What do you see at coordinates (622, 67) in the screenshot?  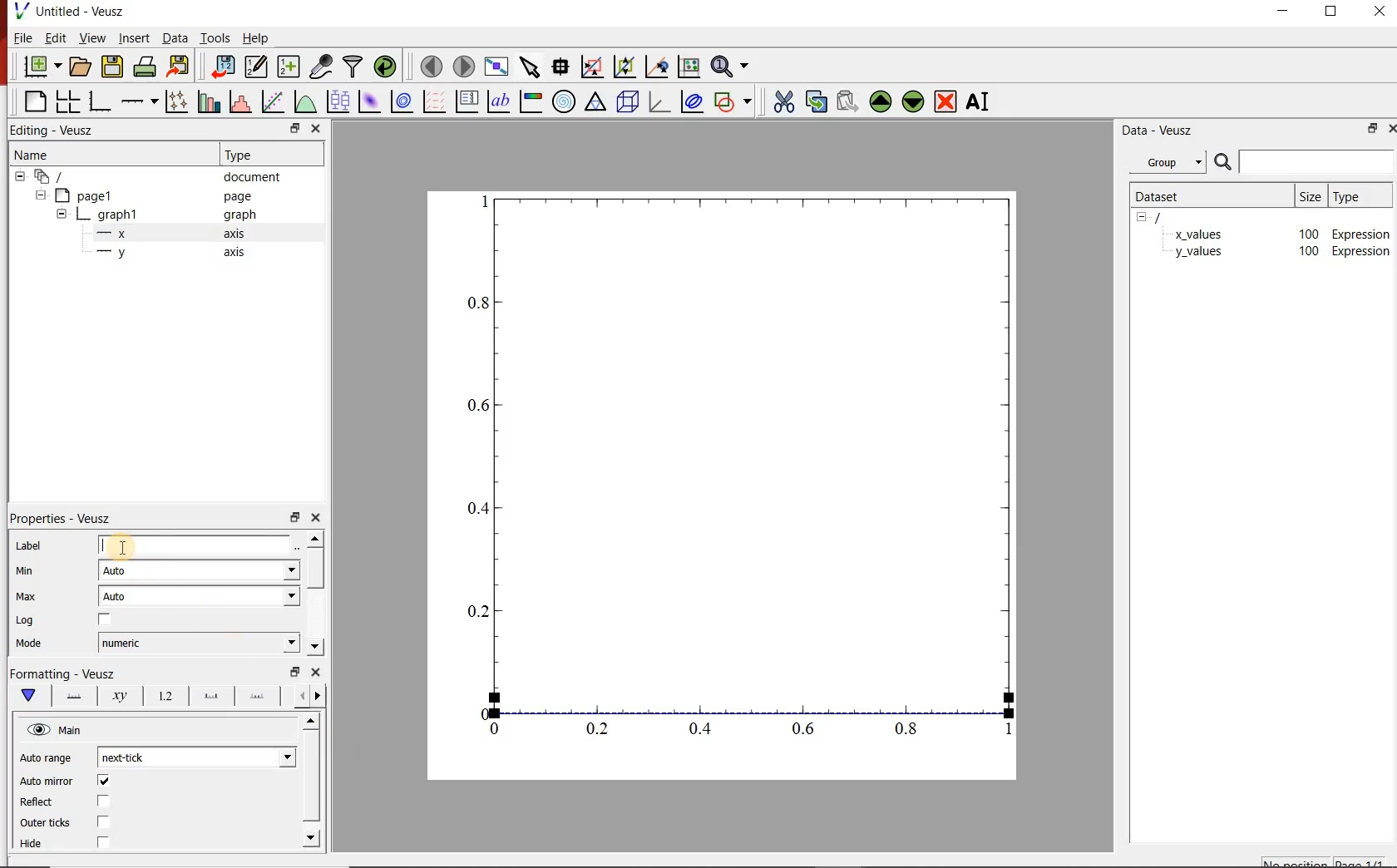 I see `click to zoom out on graph axes` at bounding box center [622, 67].